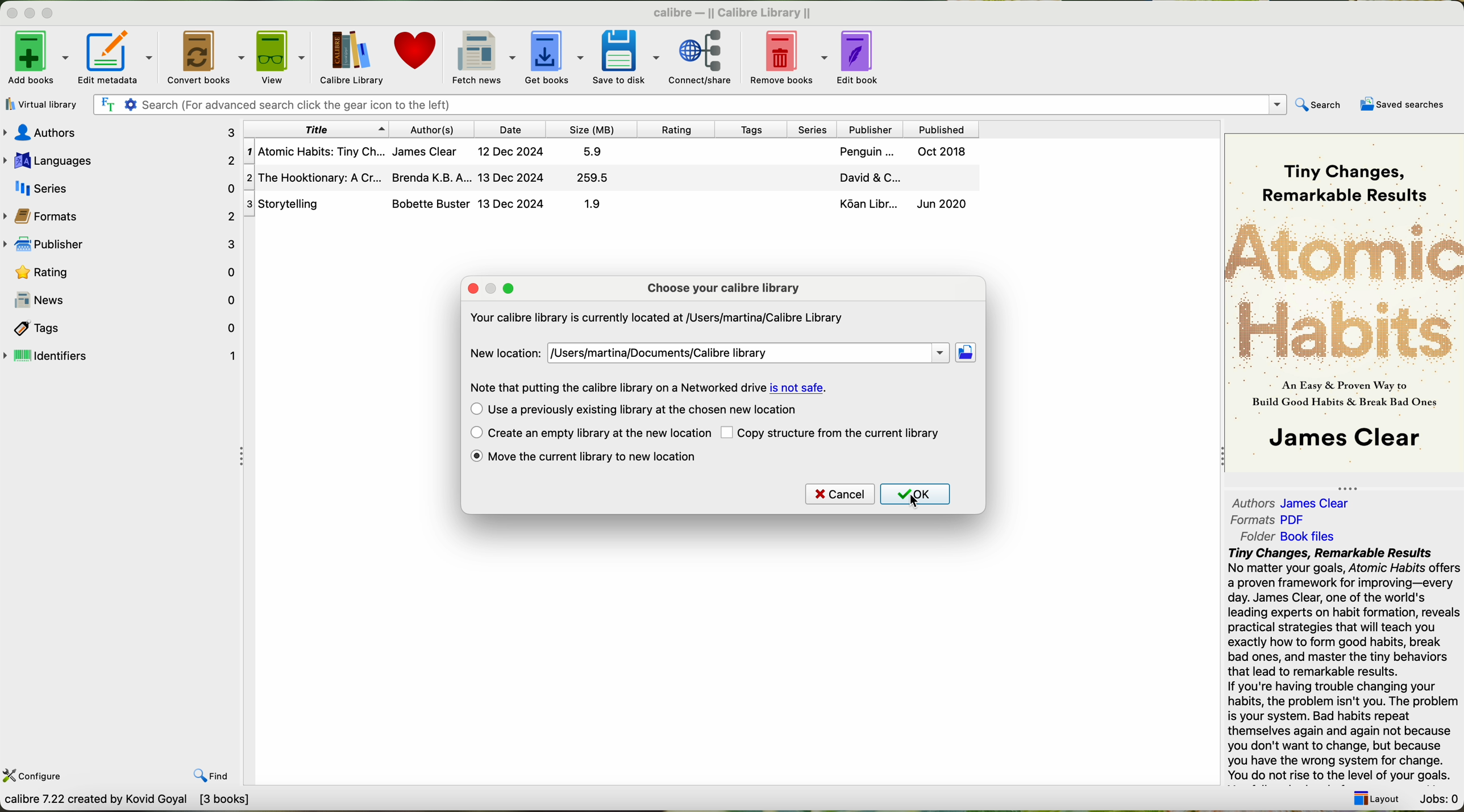 Image resolution: width=1464 pixels, height=812 pixels. What do you see at coordinates (1342, 665) in the screenshot?
I see `Tiny Changes, Remarkable Results

No matter your goals, Atomic Habits offer
a proven framework for improving—every
day. James Clear, one of the world's
leading experts on habit formation, revea
practical strategies that will teach you
exactly how to form good habits, break
bad ones, and master the tiny behaviors
that lead to remarkable results.

If you're having trouble changing your
habits, the problem isn't you. The probler
is your system. Bad habits repeat
themselves again and again not because
you don't want to change, but because
you have the wrong system for change.
You do not rise to the level of your goals.` at bounding box center [1342, 665].